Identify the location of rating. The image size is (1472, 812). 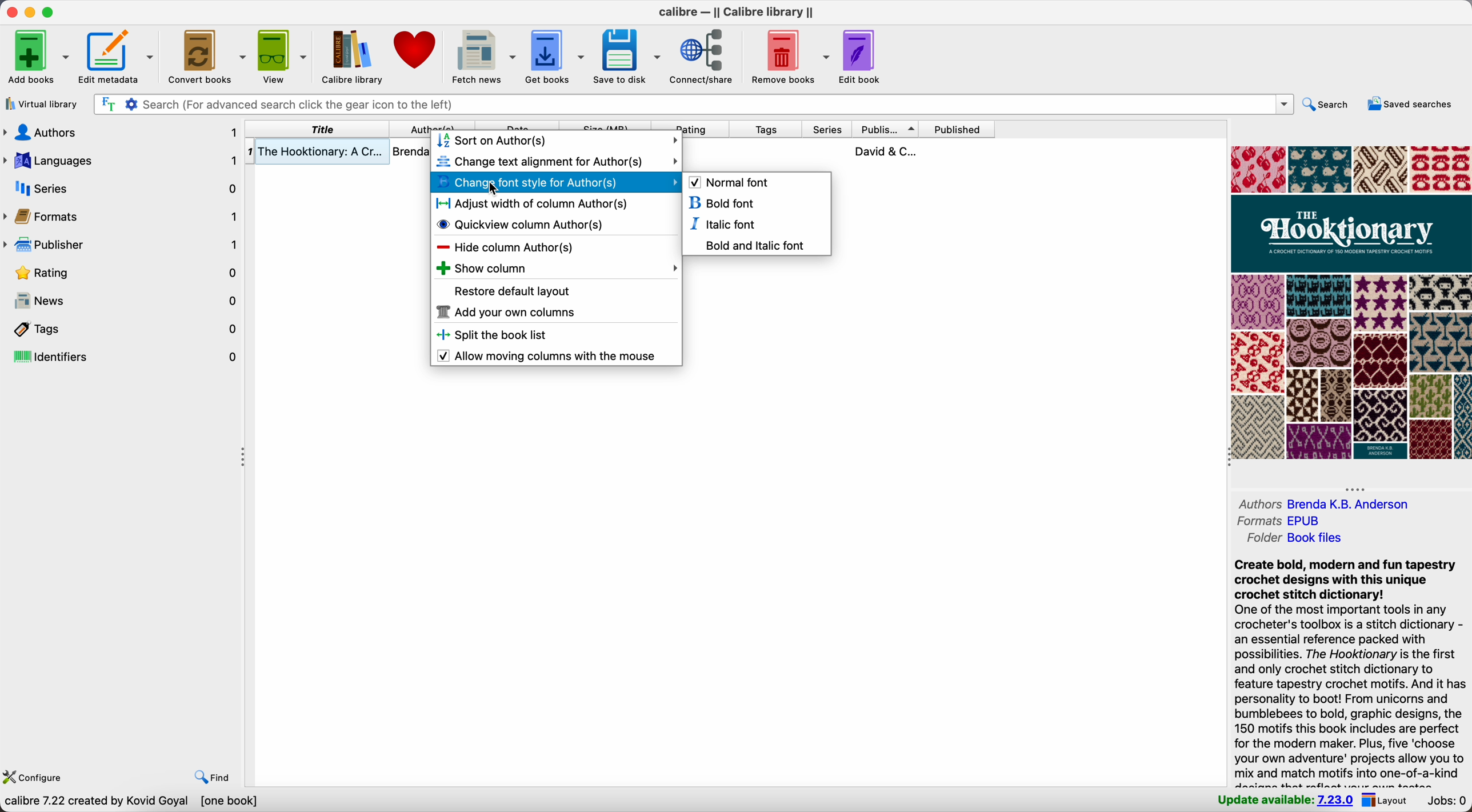
(691, 125).